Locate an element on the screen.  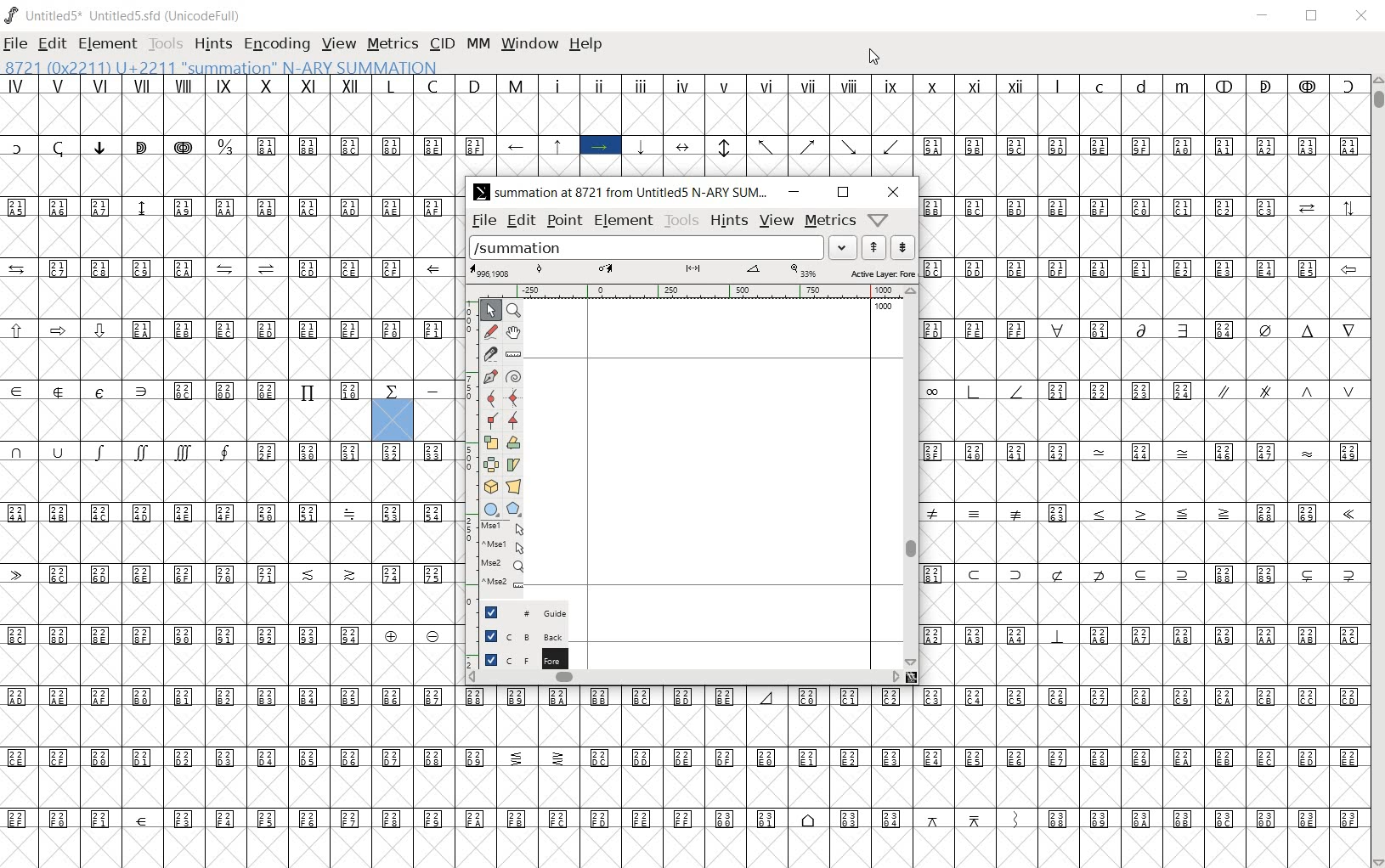
Add a corner point is located at coordinates (515, 420).